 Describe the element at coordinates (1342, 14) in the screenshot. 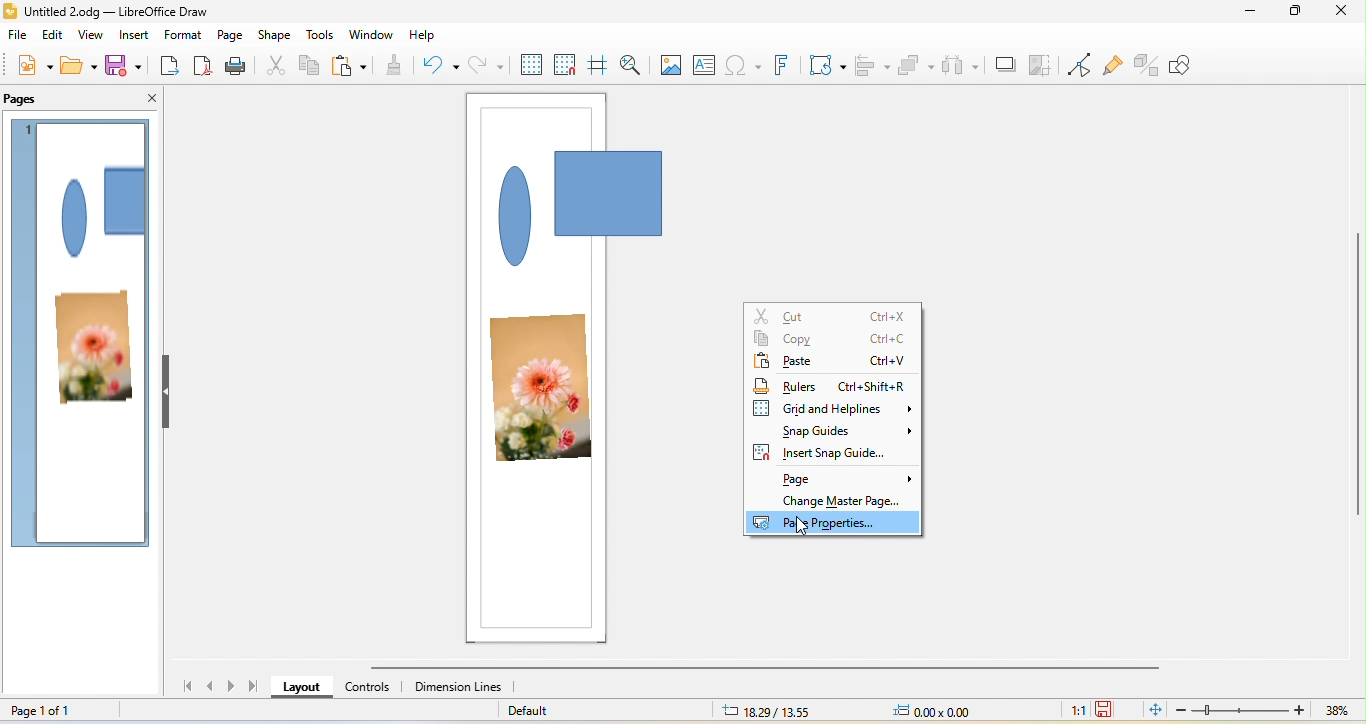

I see `close` at that location.